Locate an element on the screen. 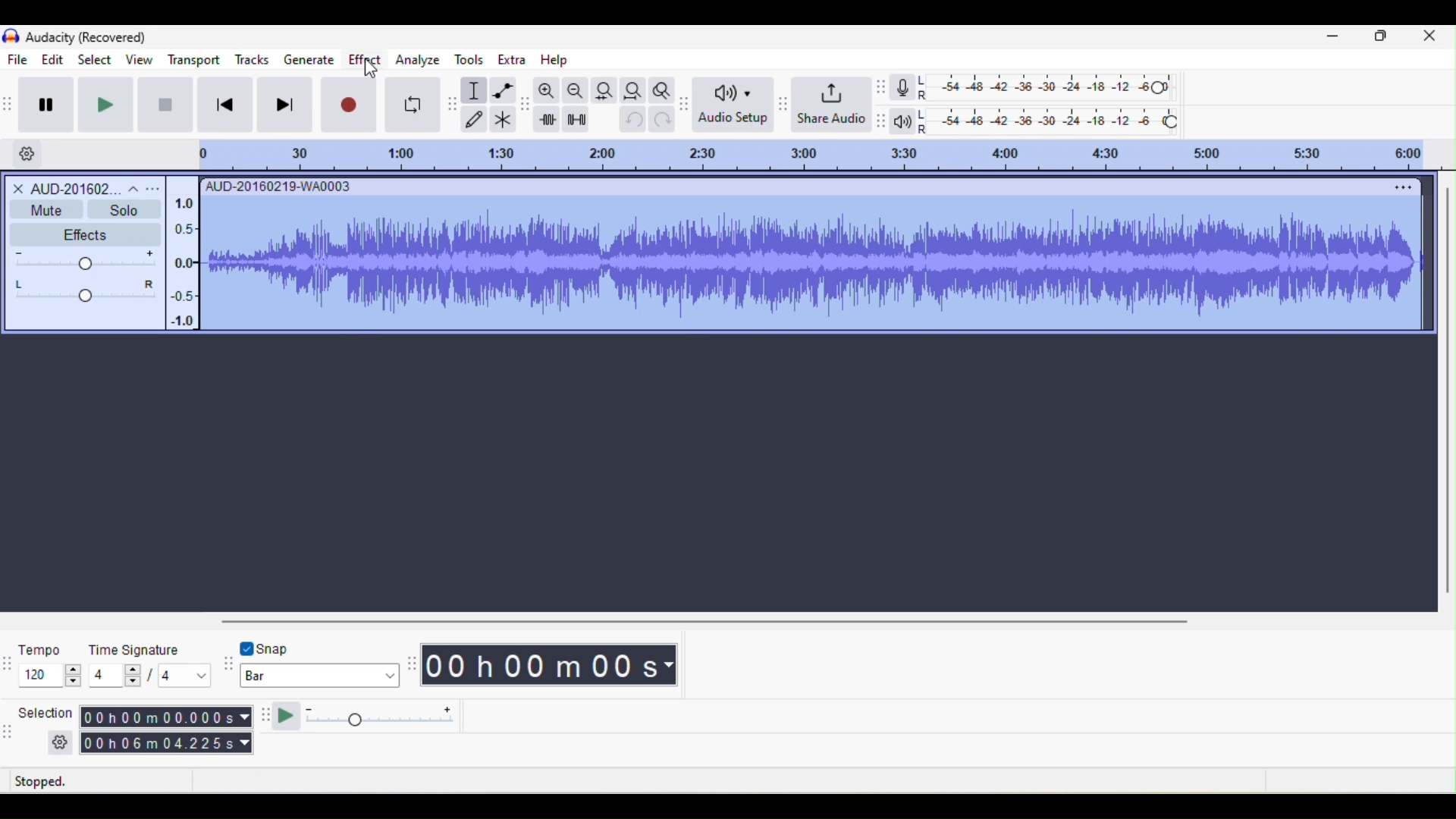  close is located at coordinates (1429, 40).